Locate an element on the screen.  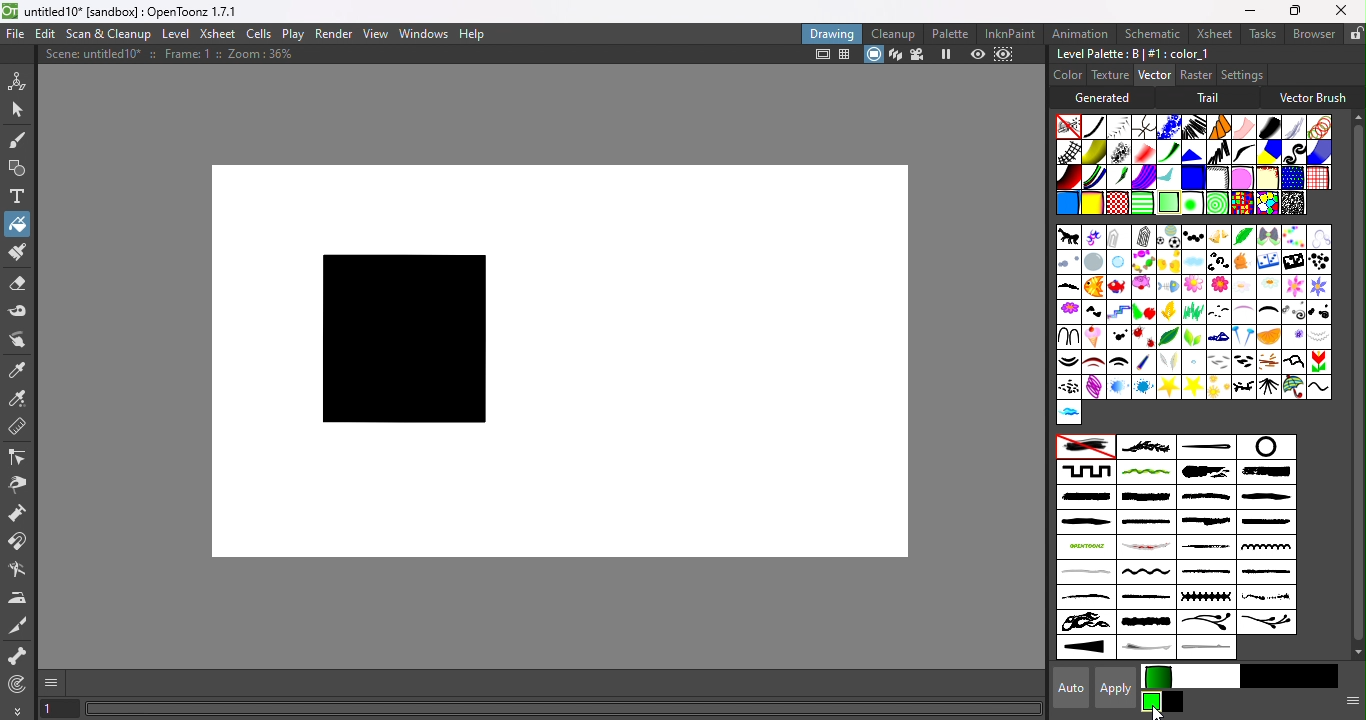
Dots is located at coordinates (1318, 262).